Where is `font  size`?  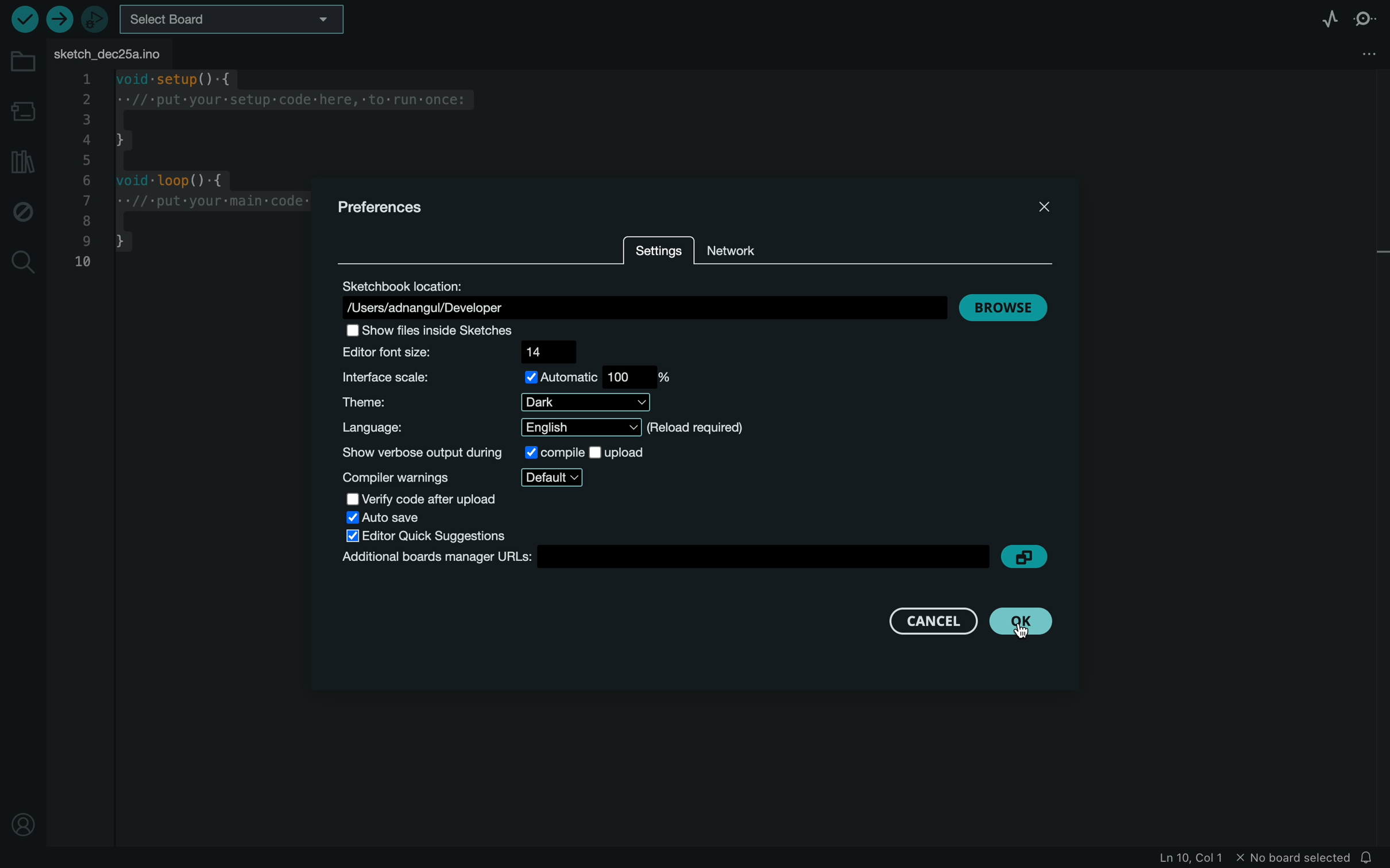
font  size is located at coordinates (470, 352).